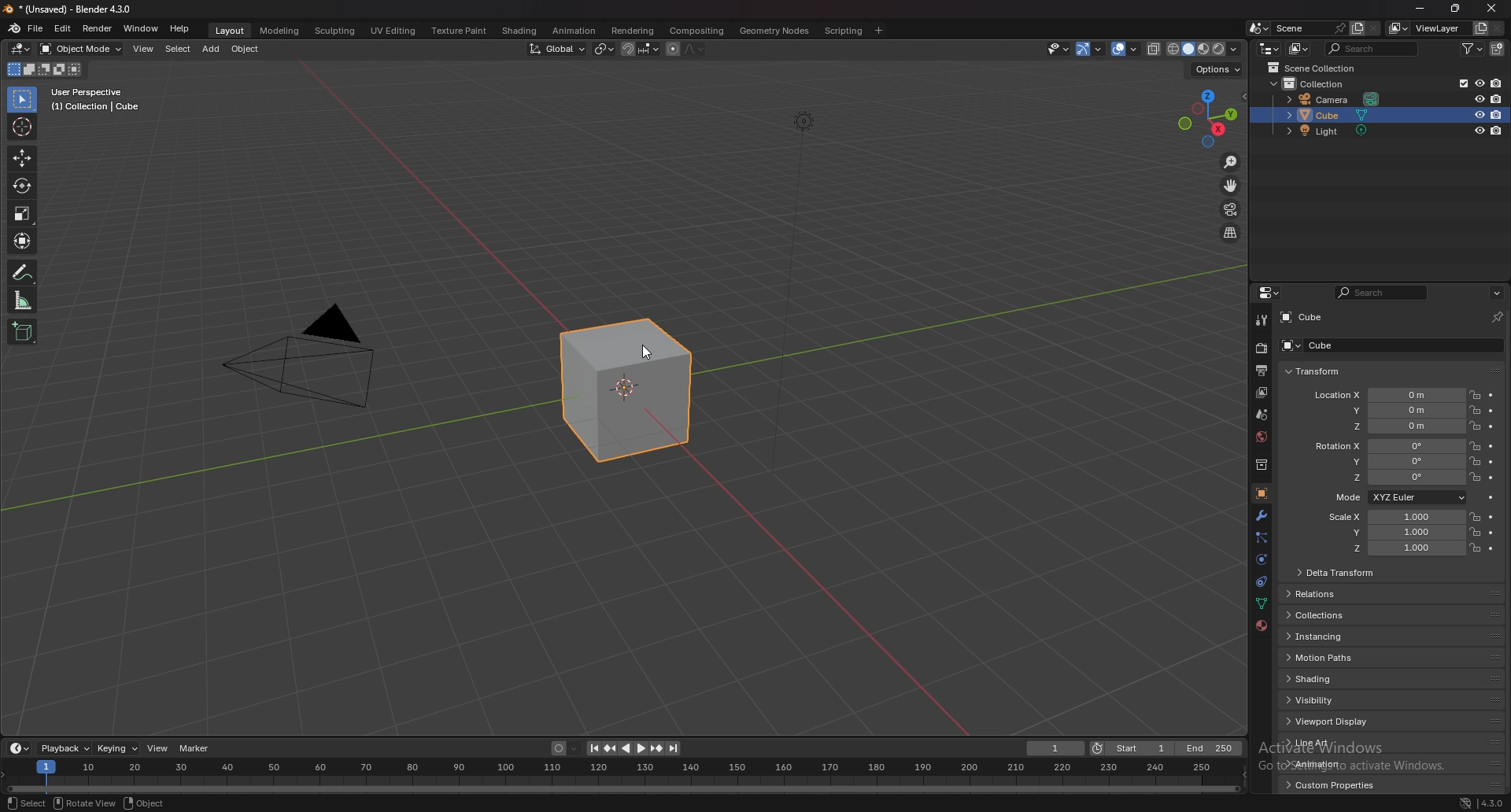 This screenshot has height=812, width=1511. I want to click on file, so click(35, 28).